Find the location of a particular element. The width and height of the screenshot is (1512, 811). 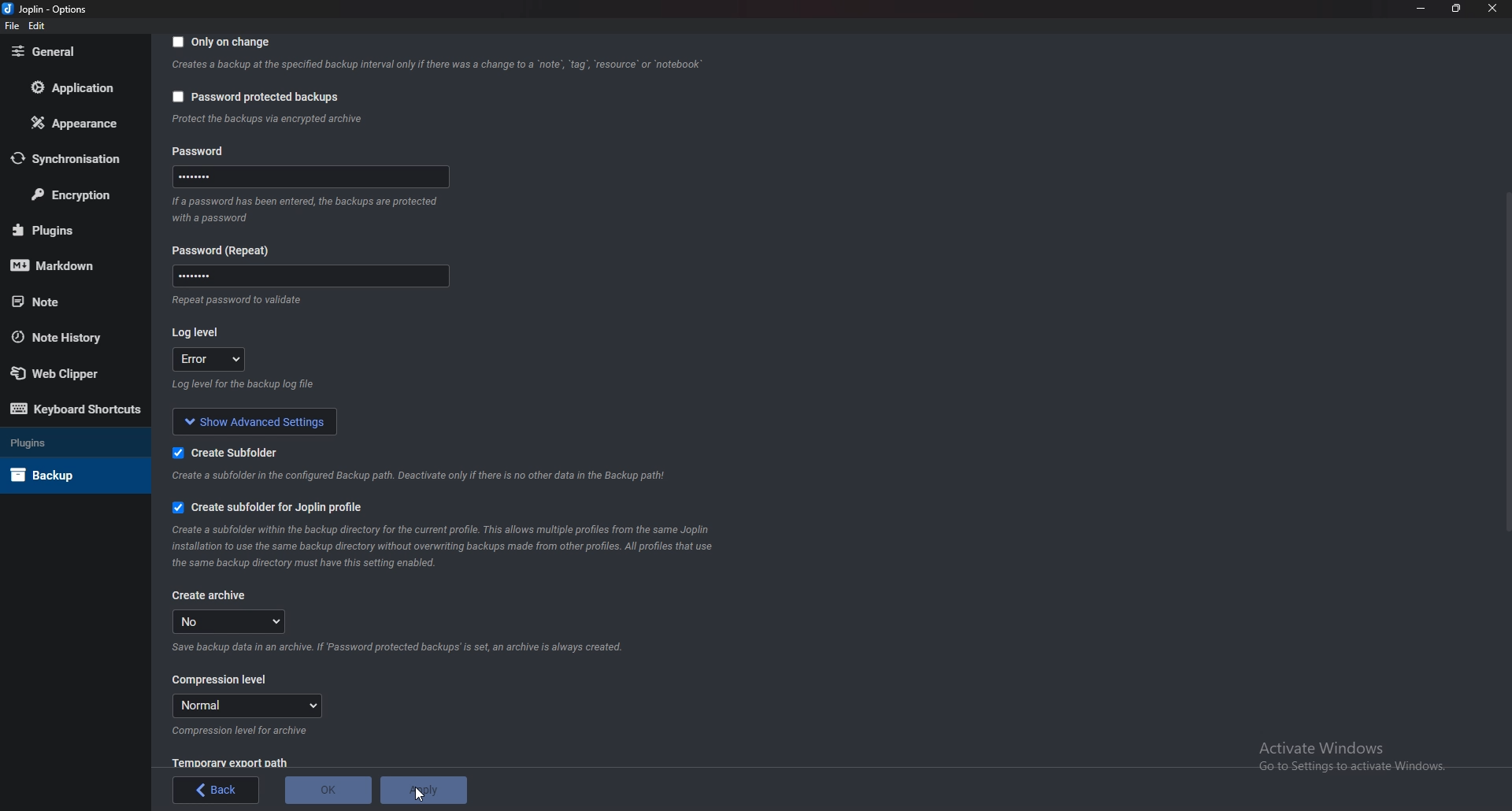

close is located at coordinates (1491, 8).